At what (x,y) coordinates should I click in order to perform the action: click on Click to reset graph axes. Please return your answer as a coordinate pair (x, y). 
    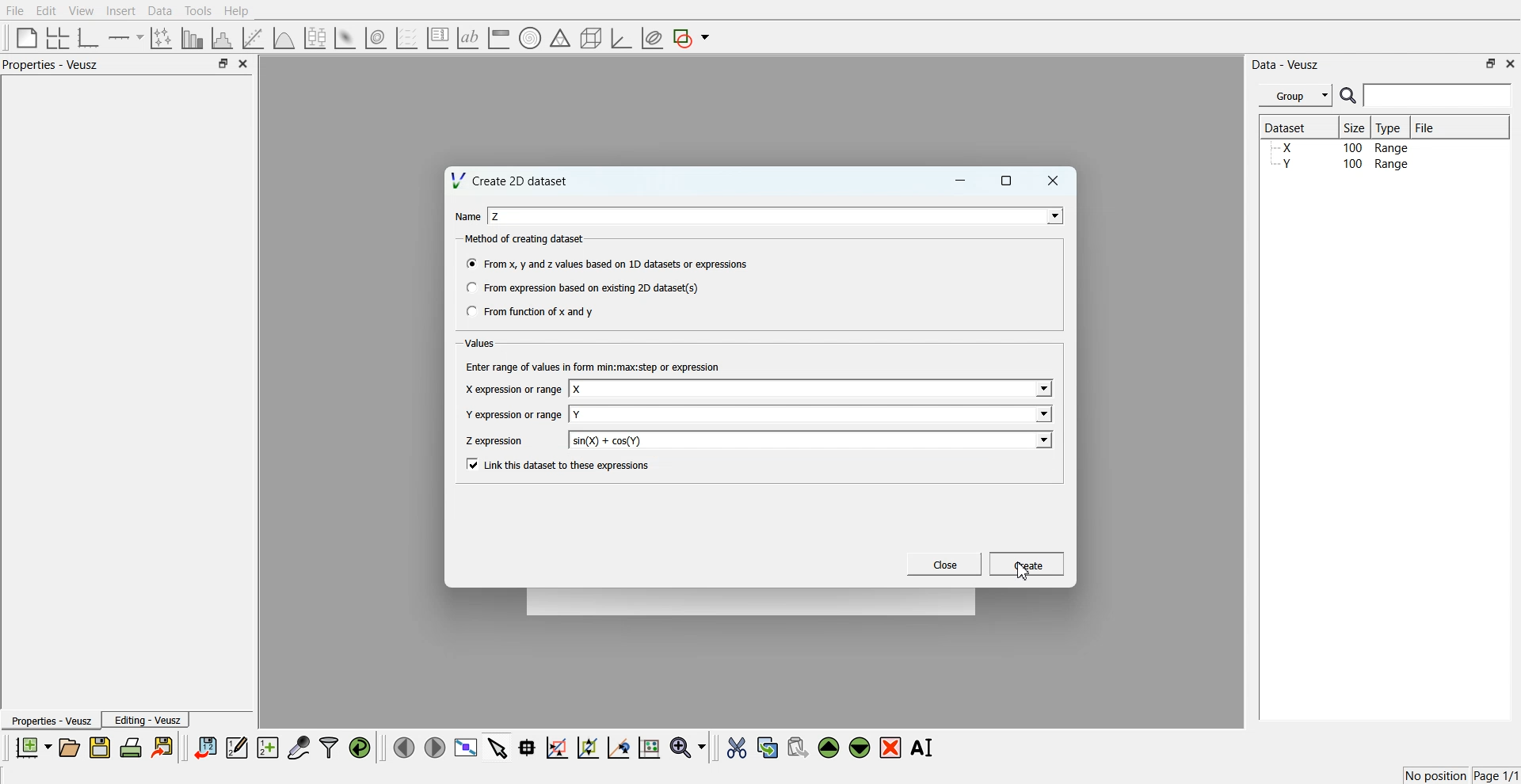
    Looking at the image, I should click on (649, 746).